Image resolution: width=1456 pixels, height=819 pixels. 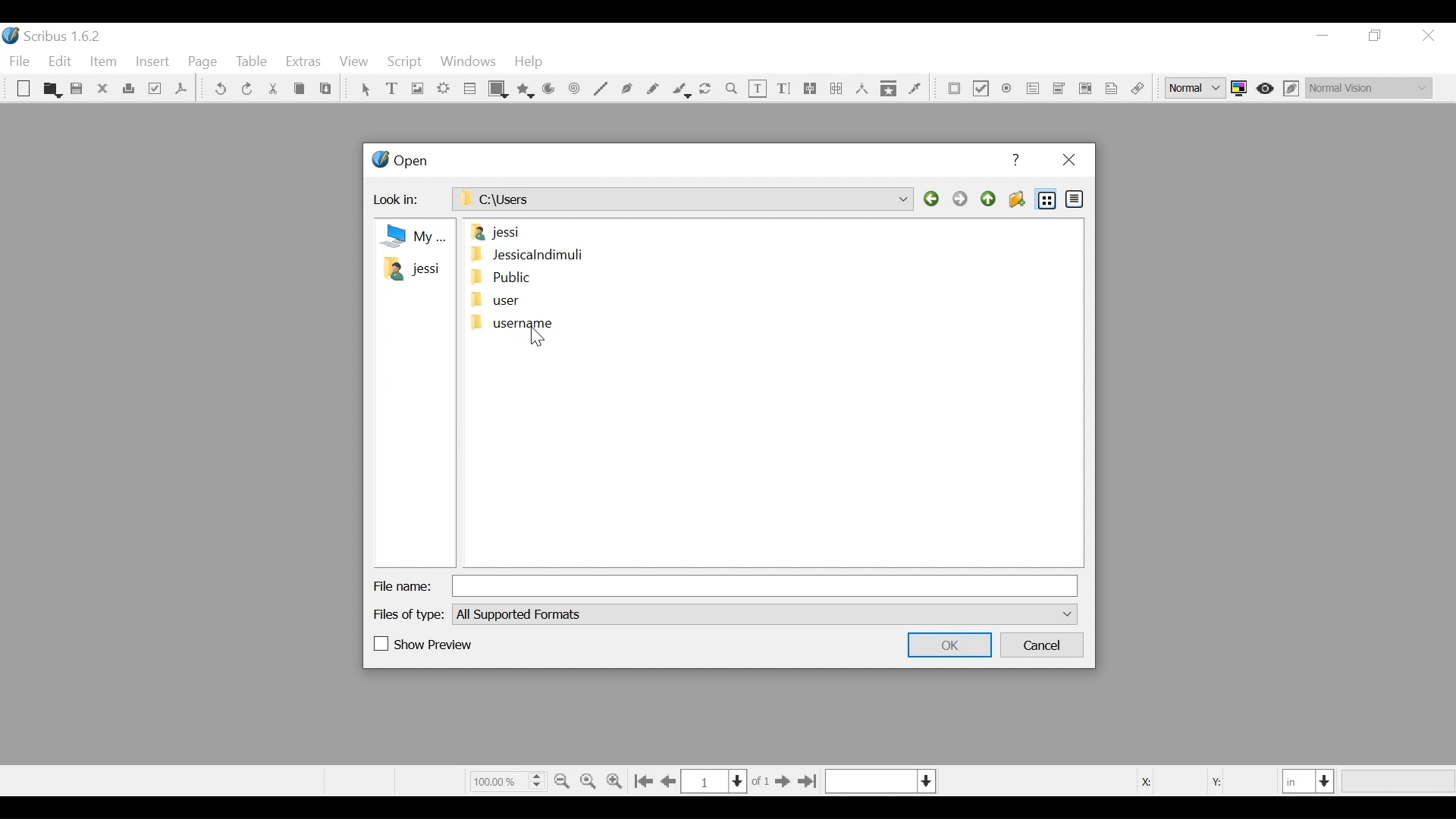 I want to click on Copy Item properties, so click(x=889, y=88).